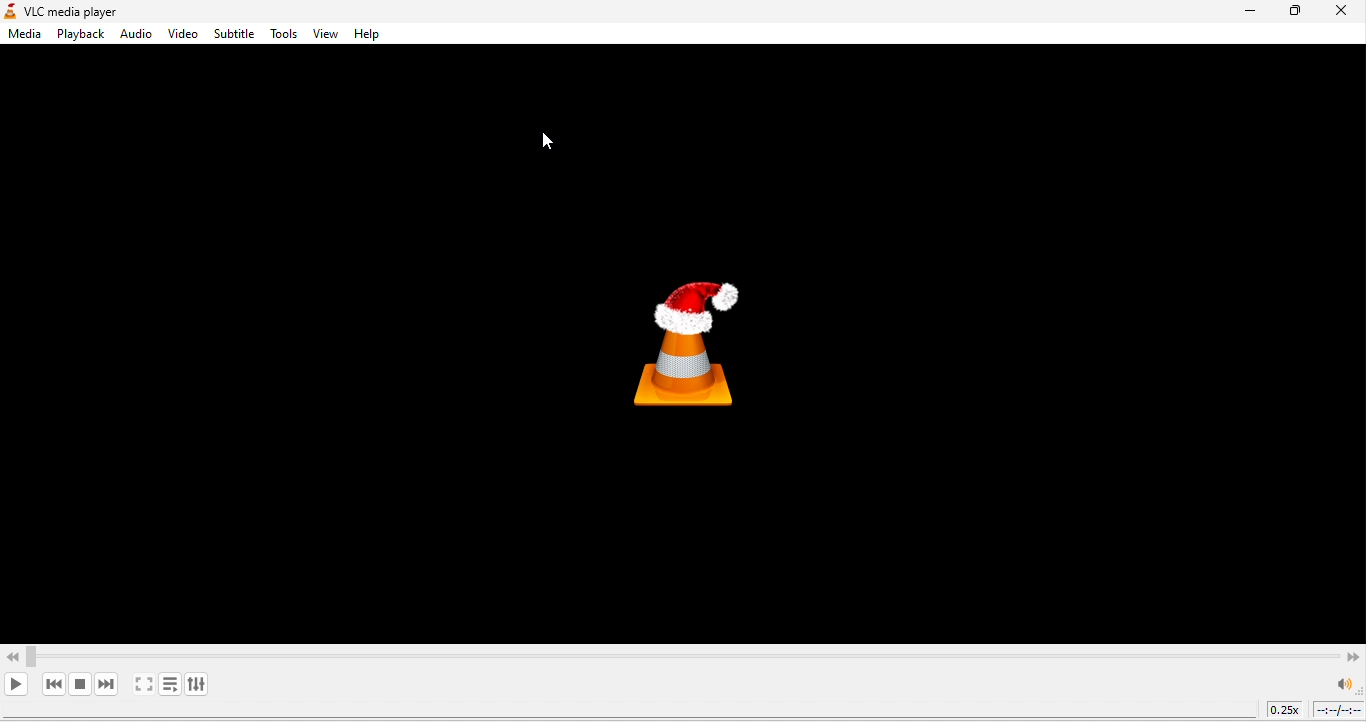 This screenshot has width=1366, height=722. Describe the element at coordinates (20, 681) in the screenshot. I see `play` at that location.